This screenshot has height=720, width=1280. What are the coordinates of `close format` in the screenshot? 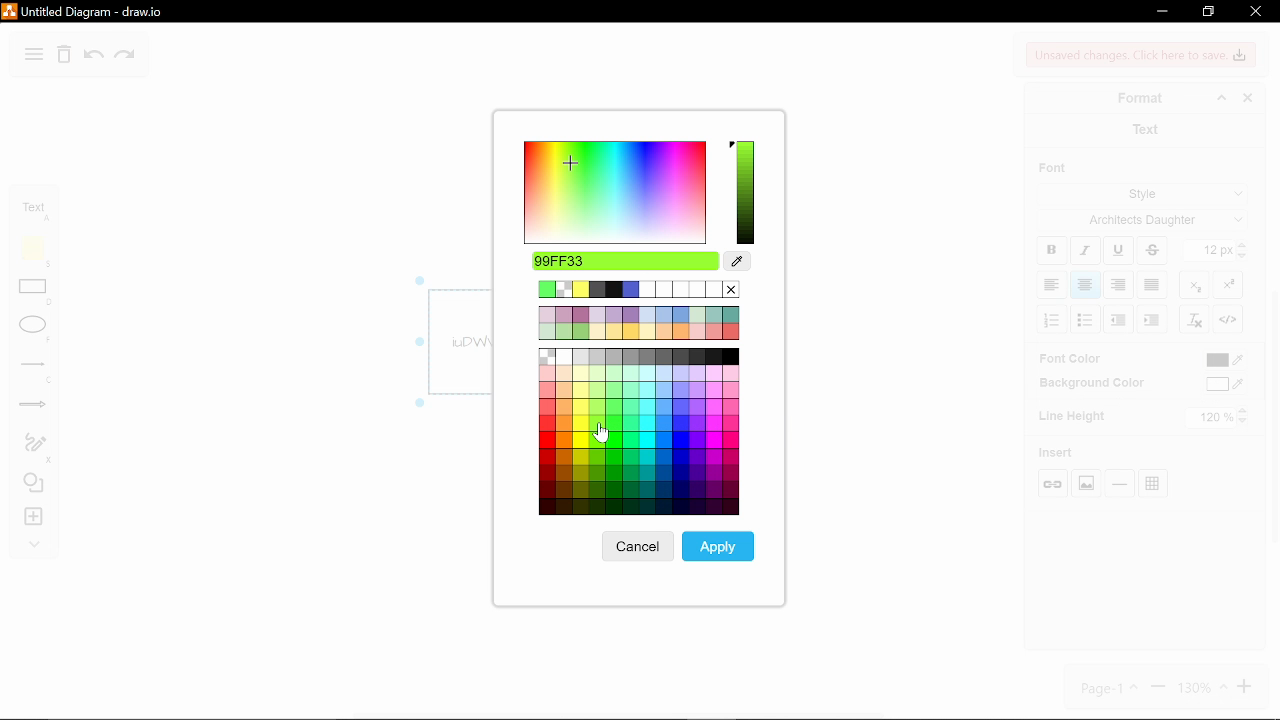 It's located at (1247, 97).